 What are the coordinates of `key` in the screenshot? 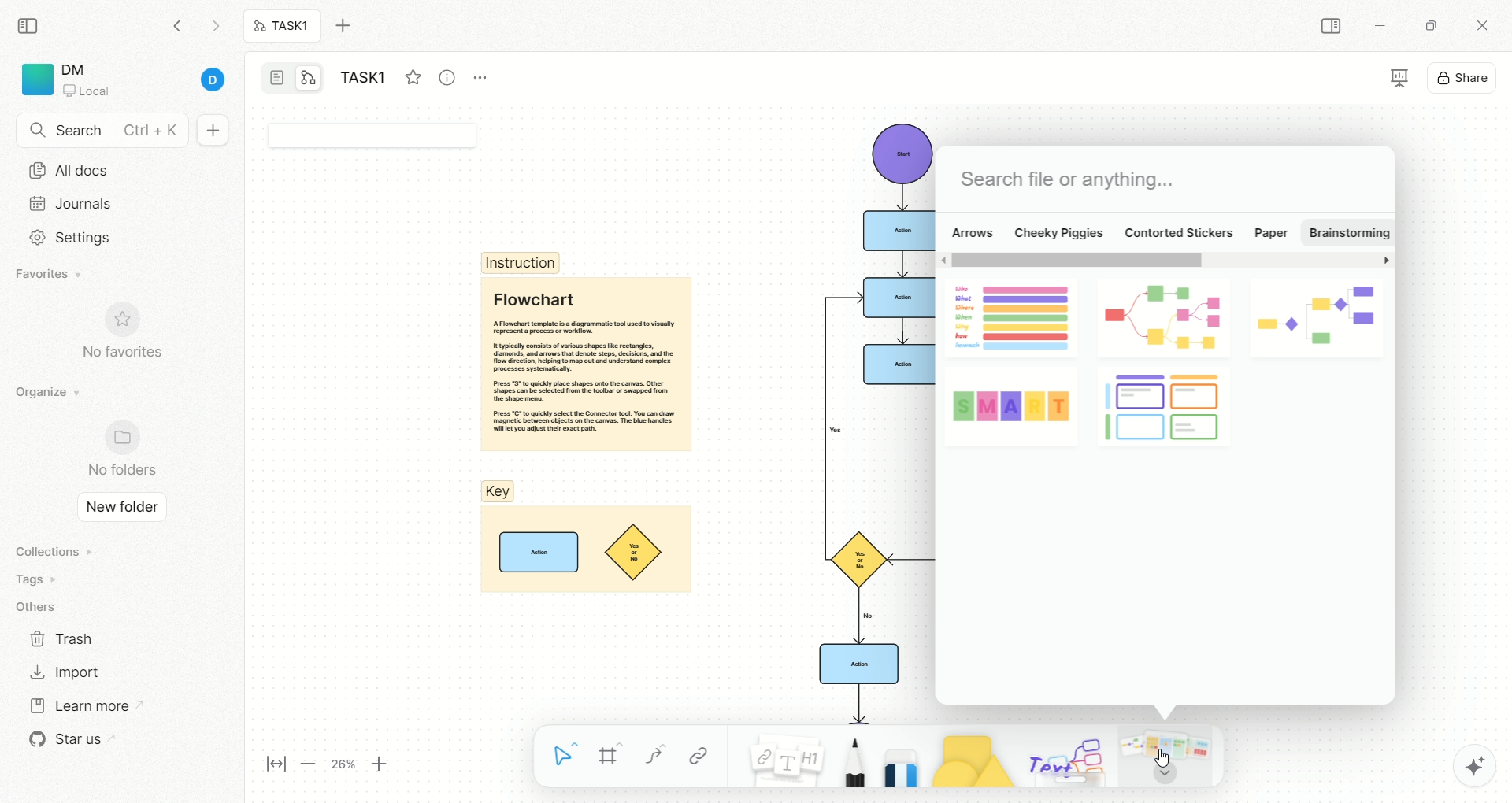 It's located at (584, 539).